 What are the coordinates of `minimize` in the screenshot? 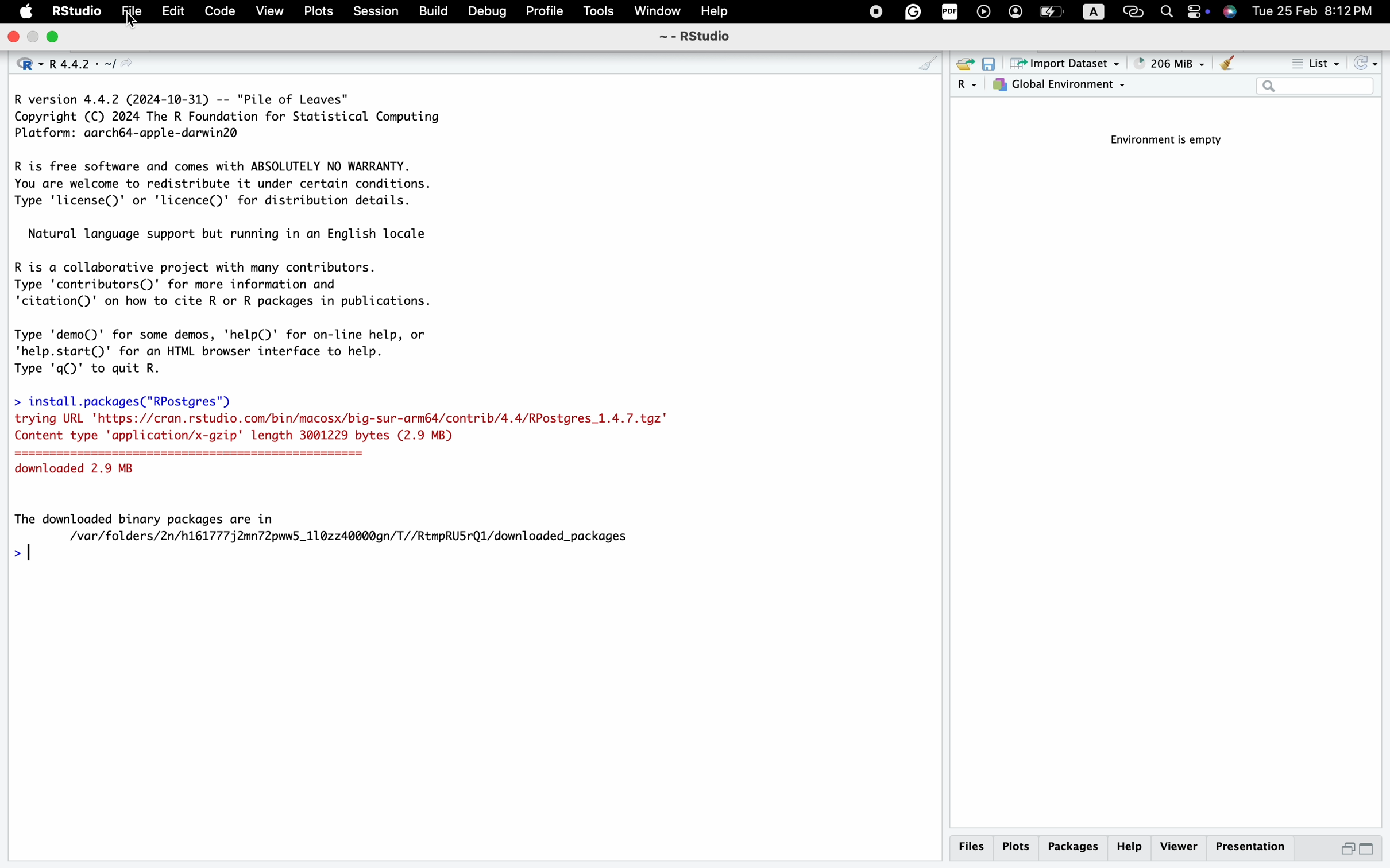 It's located at (36, 38).